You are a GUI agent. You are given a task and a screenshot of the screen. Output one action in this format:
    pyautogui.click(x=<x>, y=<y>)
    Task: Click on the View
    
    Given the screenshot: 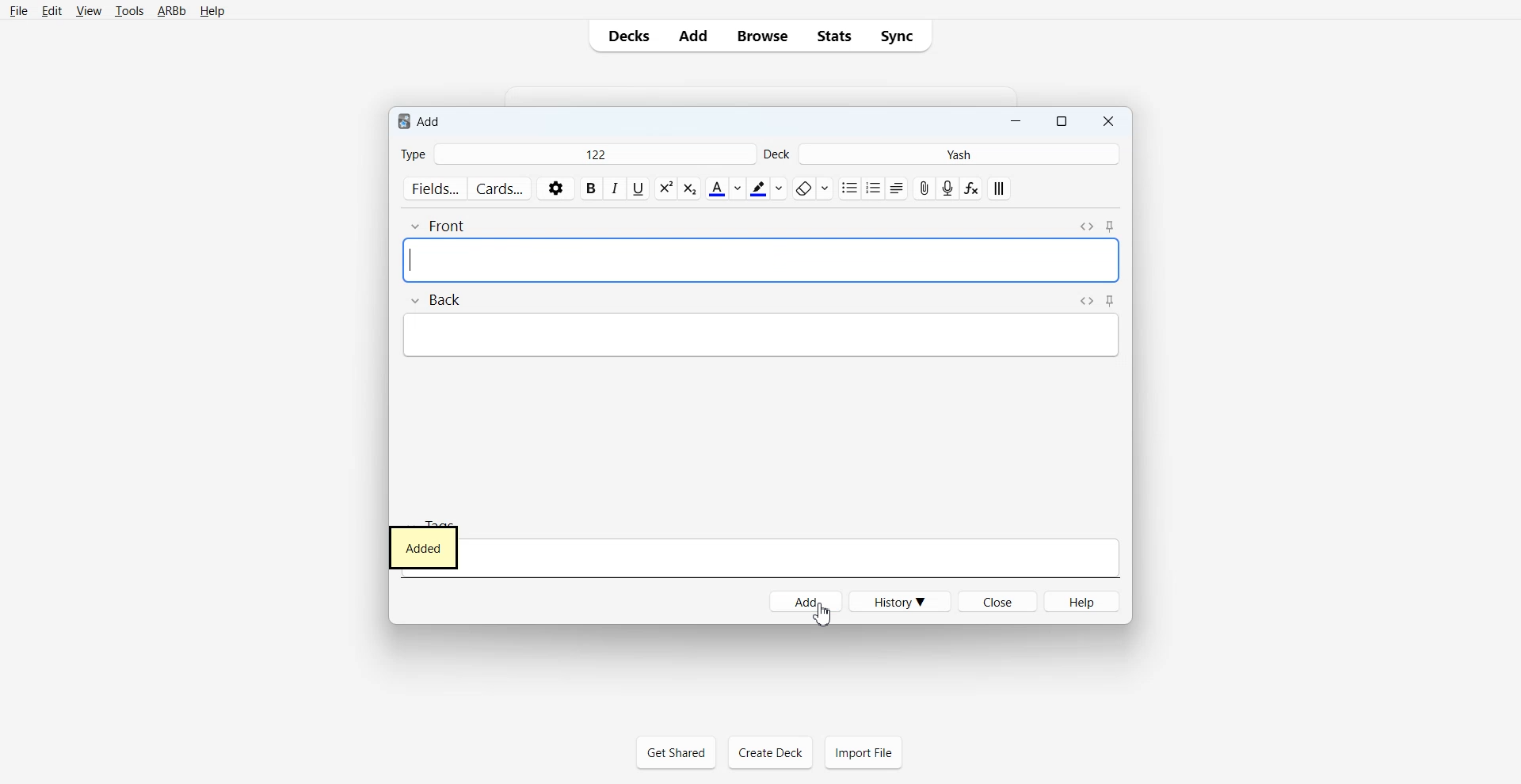 What is the action you would take?
    pyautogui.click(x=87, y=10)
    